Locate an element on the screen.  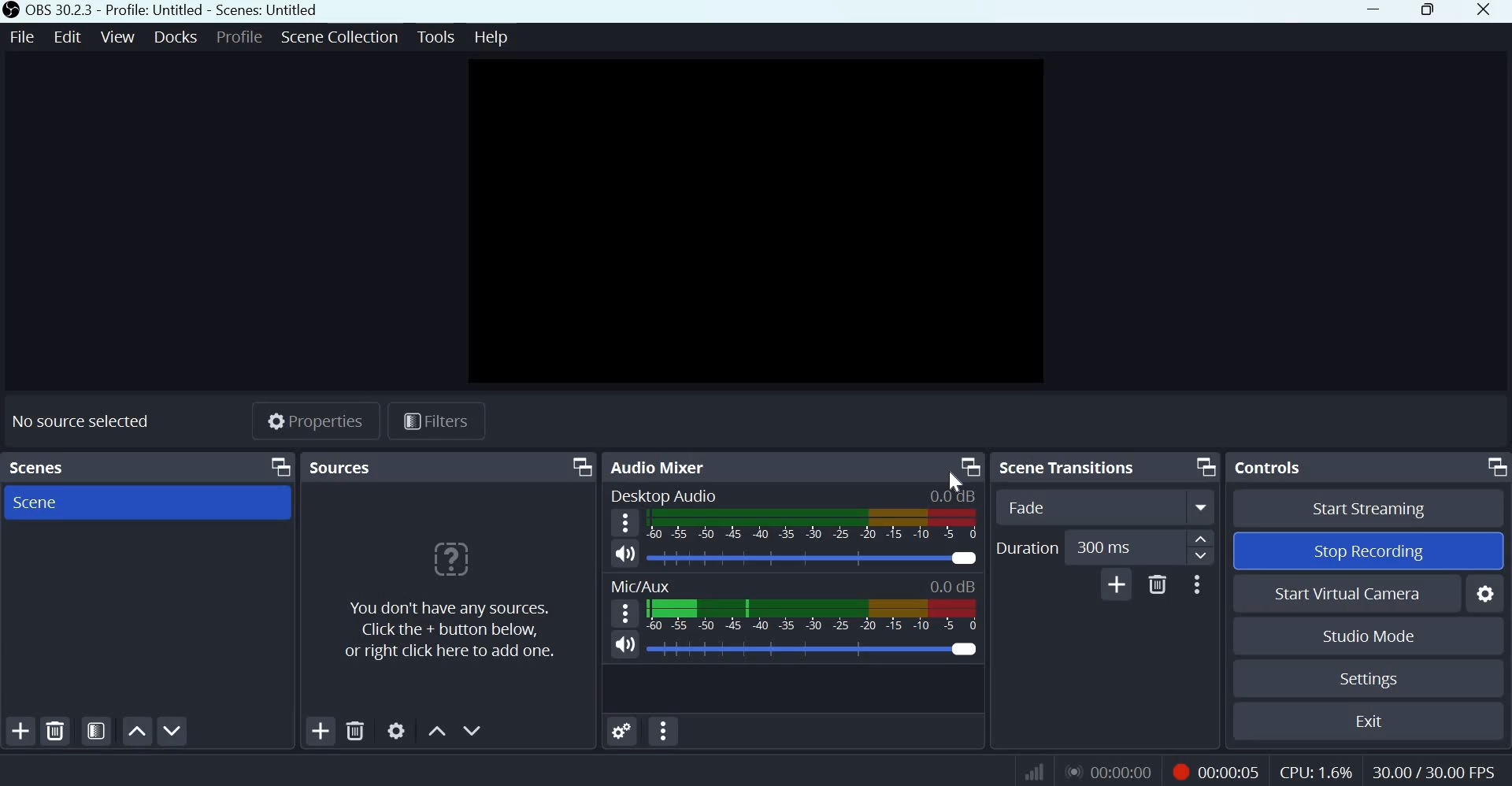
Duration is located at coordinates (1028, 547).